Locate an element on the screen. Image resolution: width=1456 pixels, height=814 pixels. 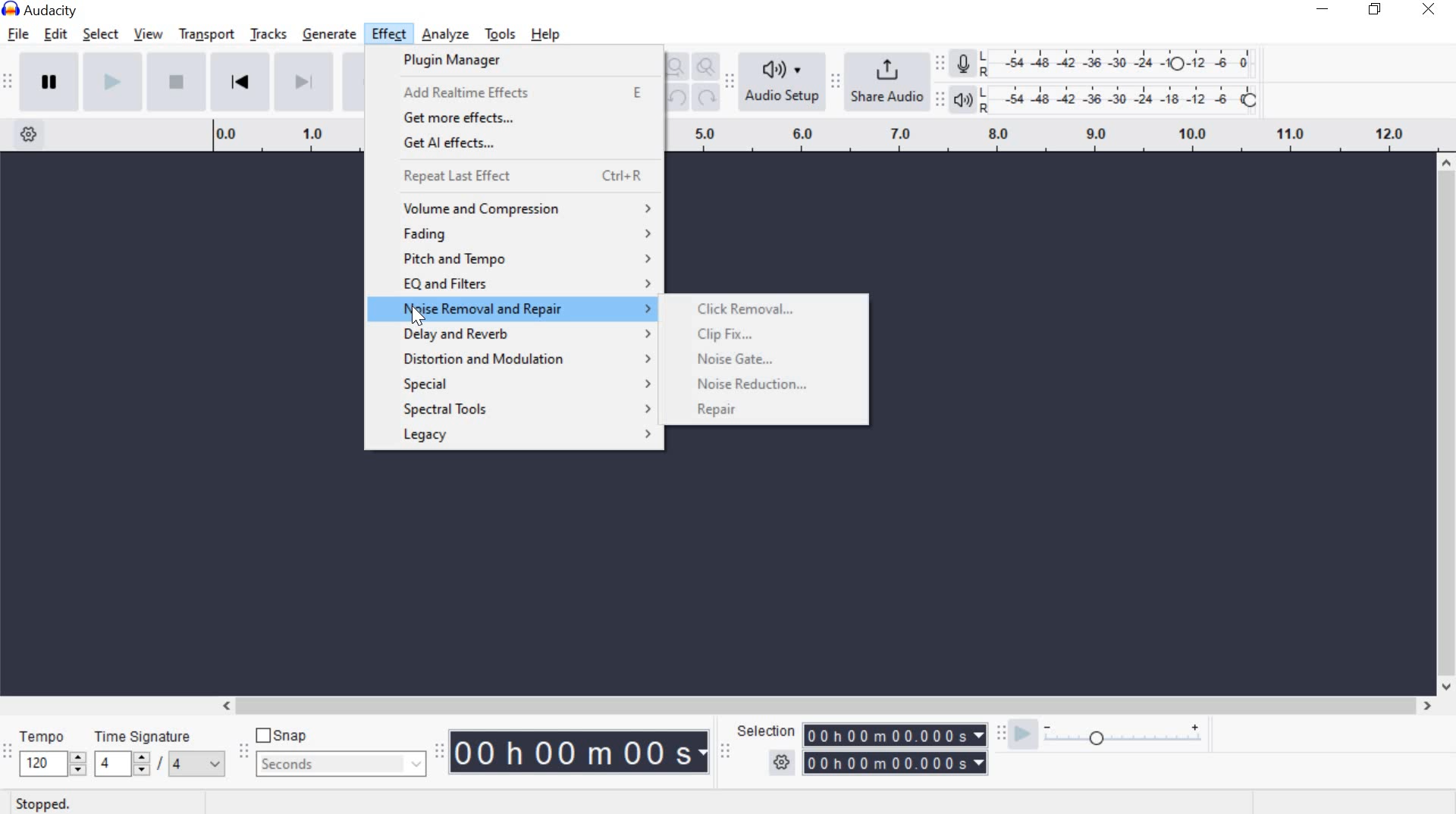
noise removal and repair is located at coordinates (520, 309).